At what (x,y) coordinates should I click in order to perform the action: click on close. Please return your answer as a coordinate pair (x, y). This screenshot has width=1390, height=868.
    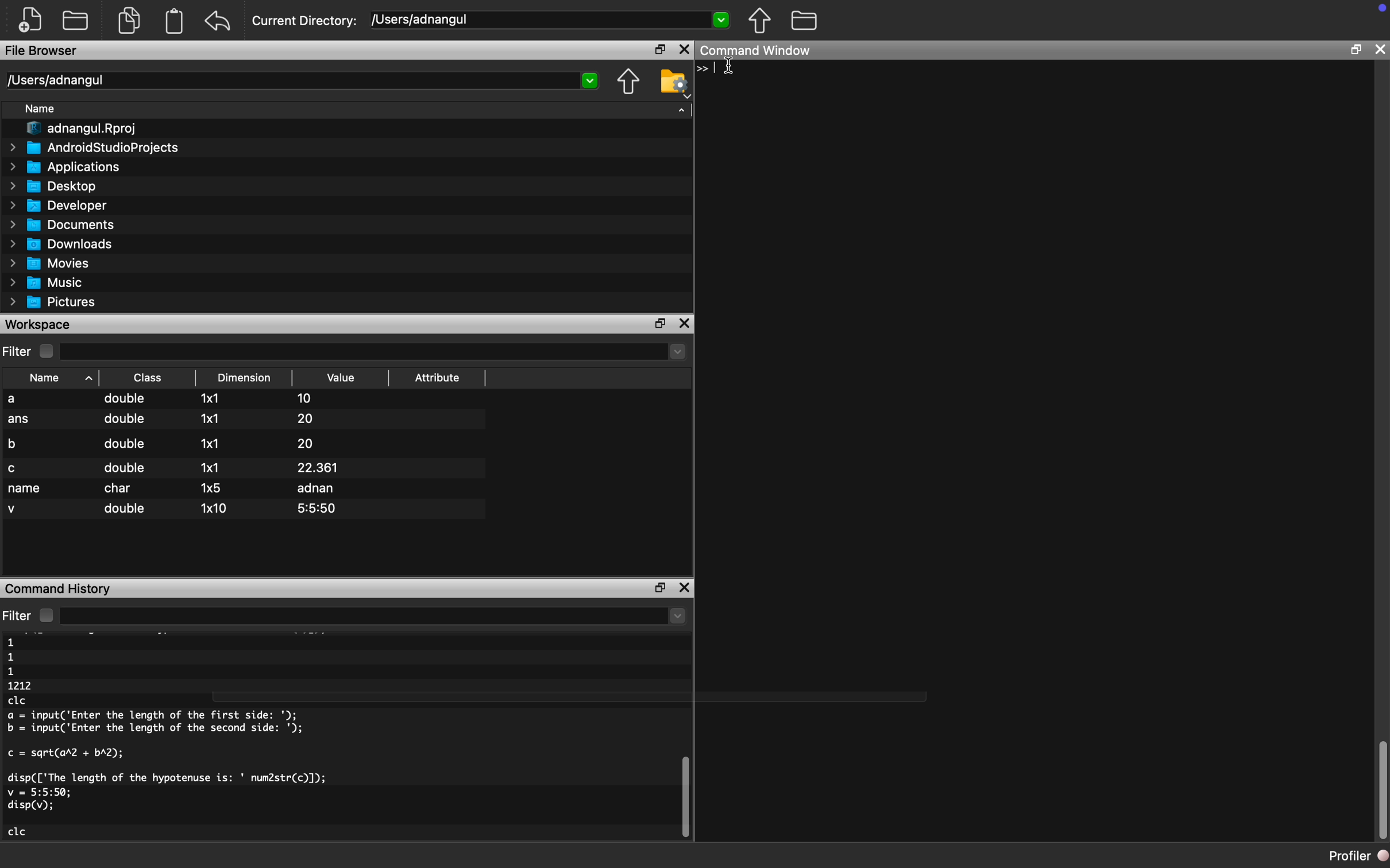
    Looking at the image, I should click on (685, 324).